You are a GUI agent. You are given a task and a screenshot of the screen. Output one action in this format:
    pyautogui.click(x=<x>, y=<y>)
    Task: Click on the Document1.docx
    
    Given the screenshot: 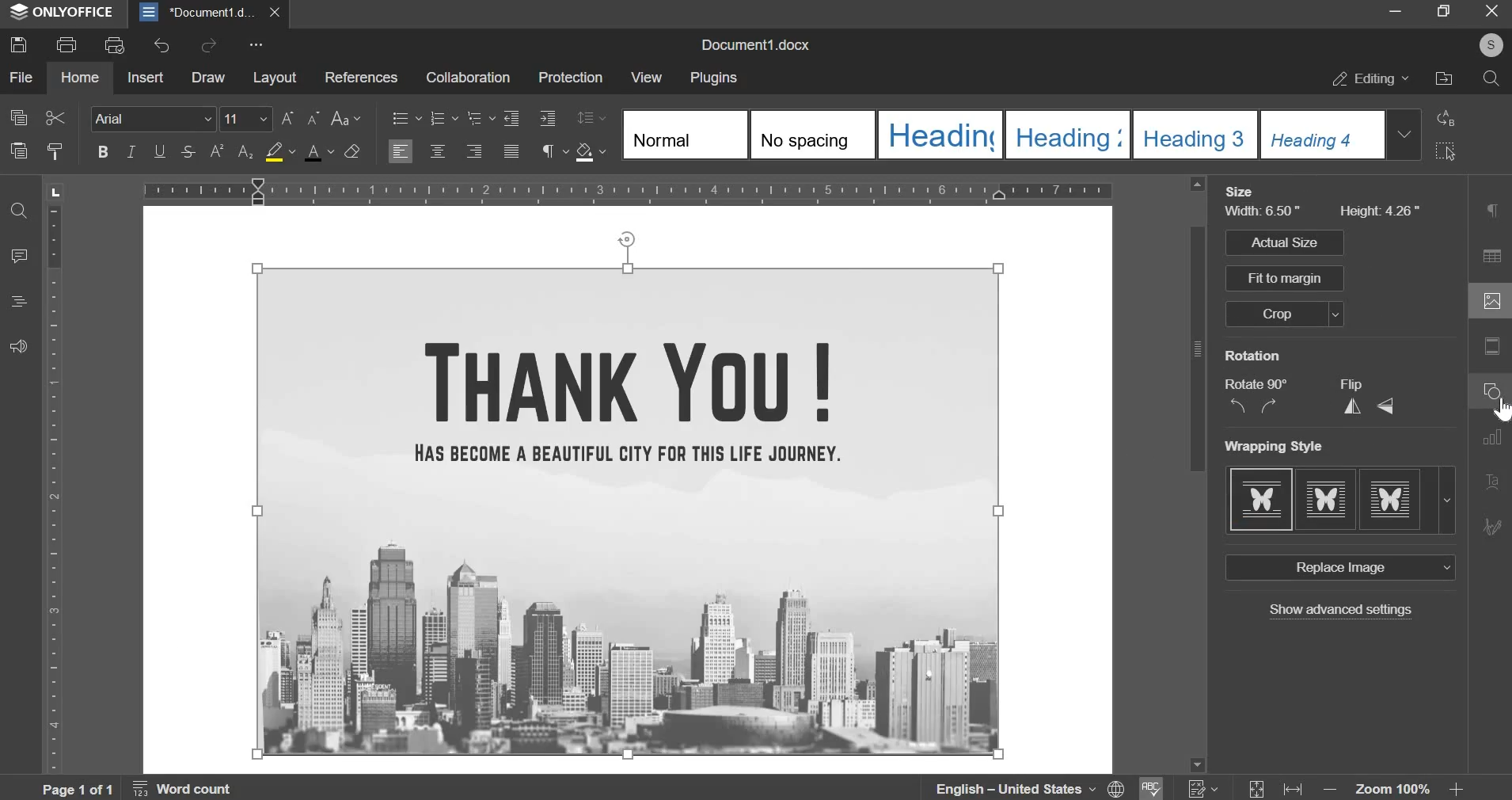 What is the action you would take?
    pyautogui.click(x=760, y=42)
    